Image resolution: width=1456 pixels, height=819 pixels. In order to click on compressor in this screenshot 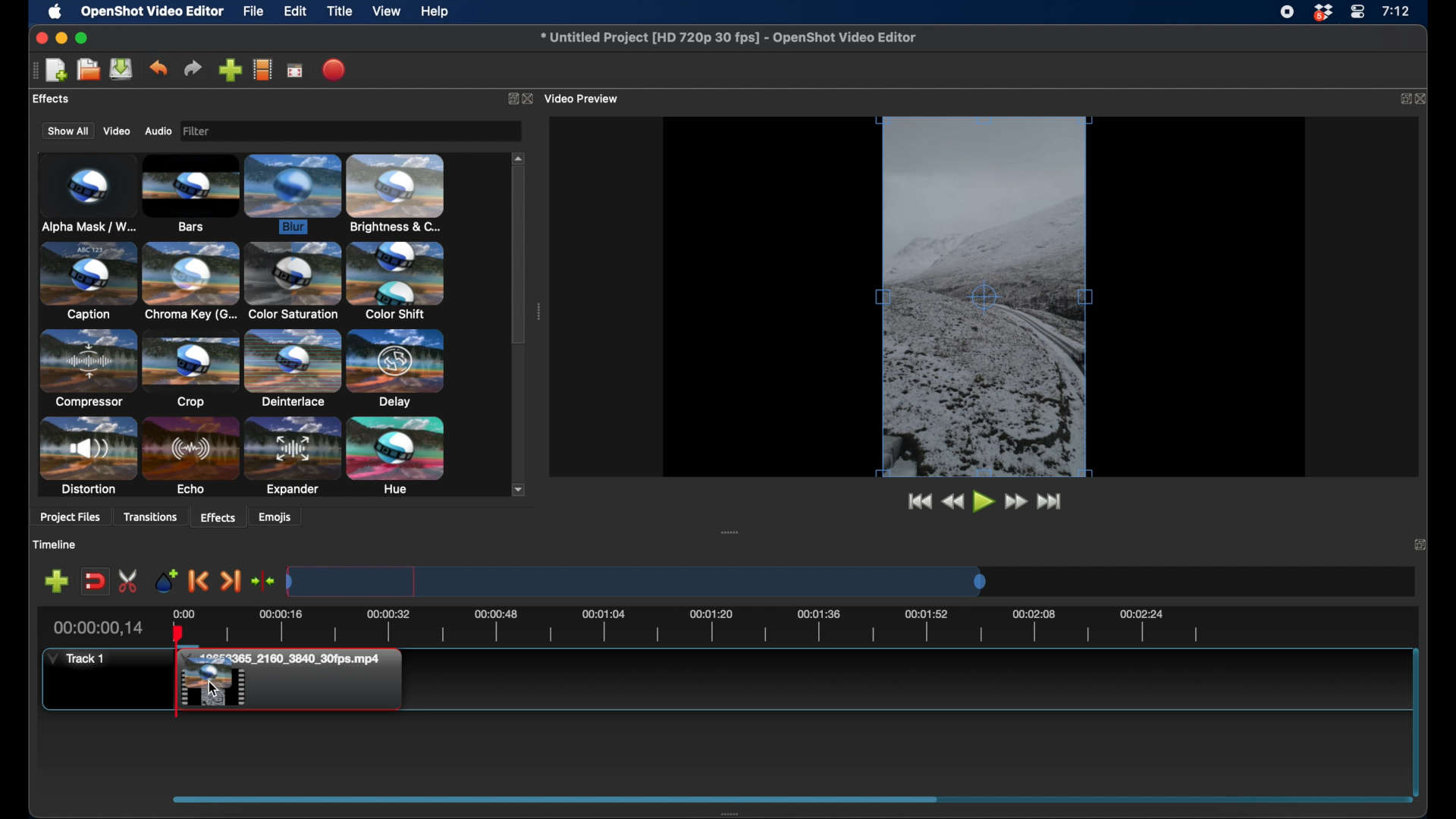, I will do `click(86, 368)`.